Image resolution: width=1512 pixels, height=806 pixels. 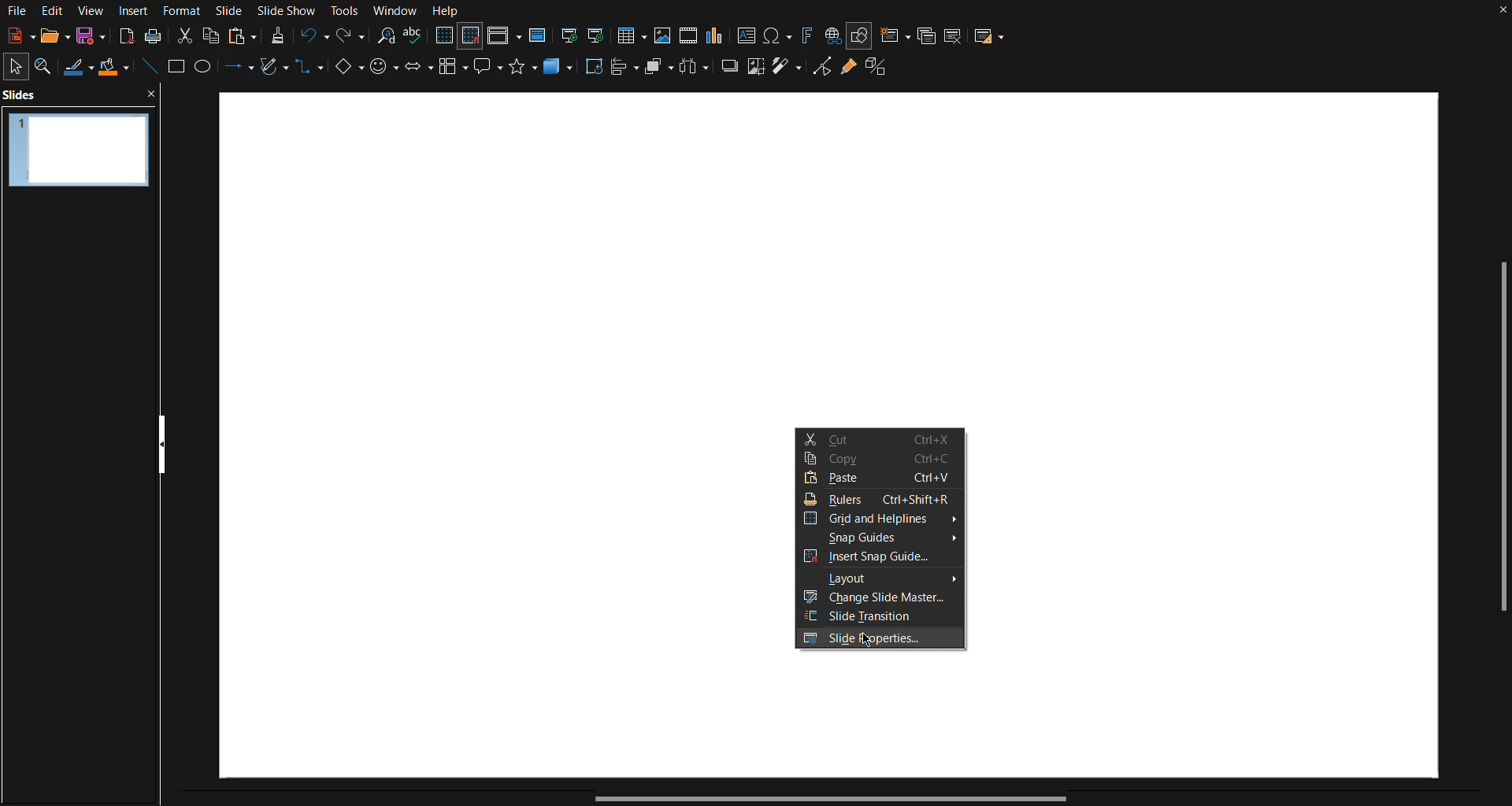 I want to click on Spellcheck, so click(x=414, y=37).